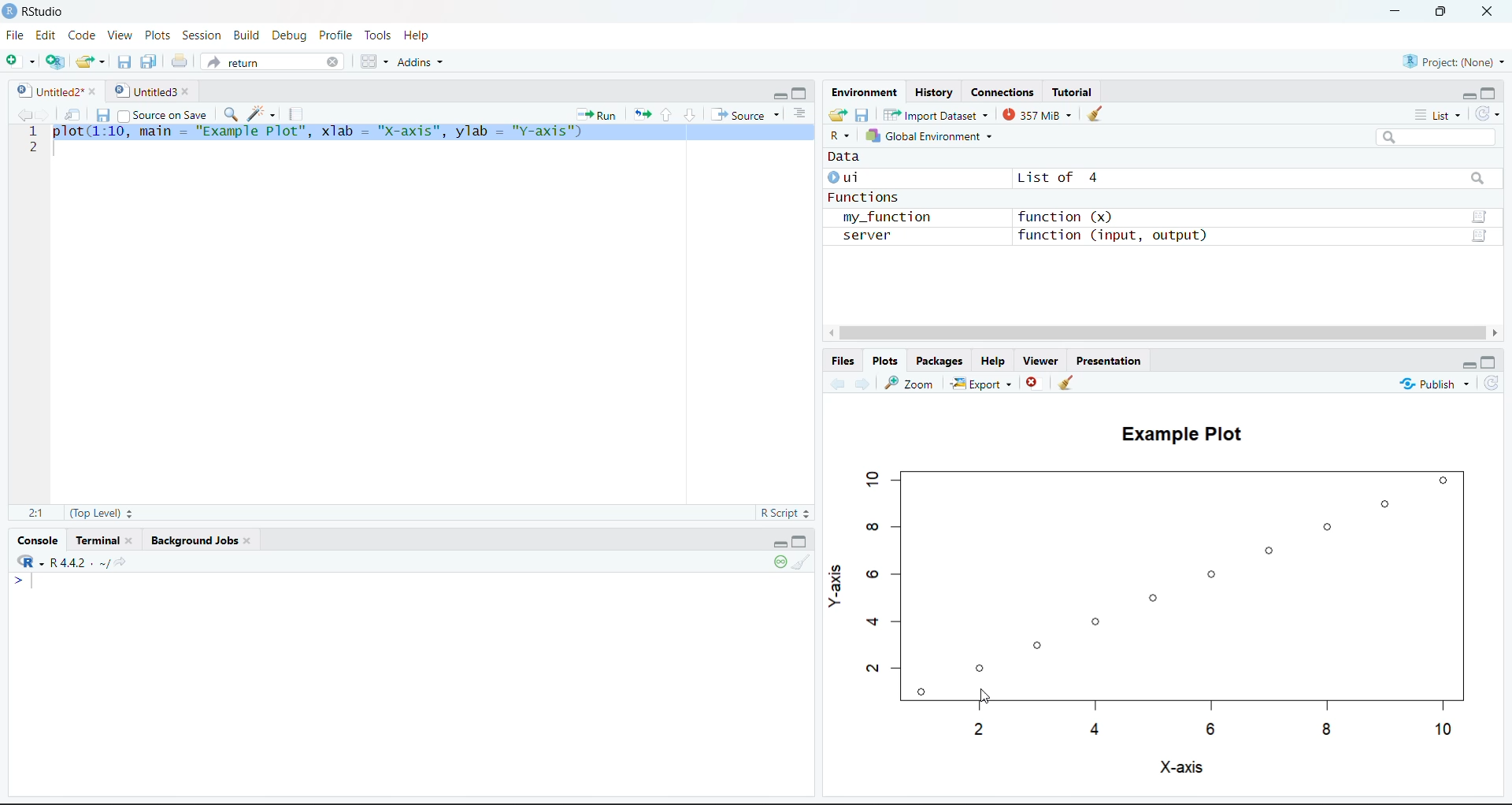  What do you see at coordinates (910, 382) in the screenshot?
I see `Zoom` at bounding box center [910, 382].